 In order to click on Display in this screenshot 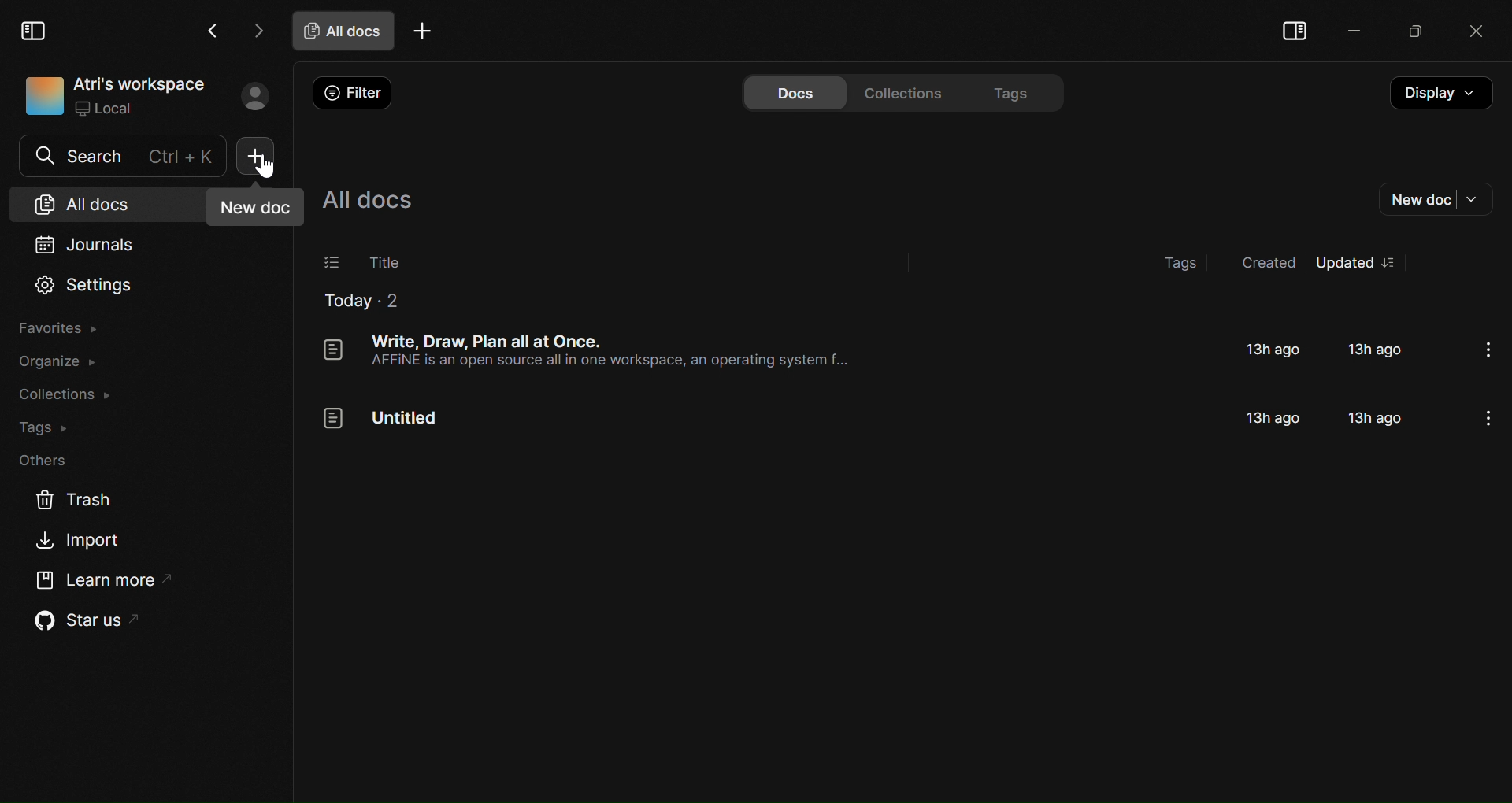, I will do `click(1439, 93)`.